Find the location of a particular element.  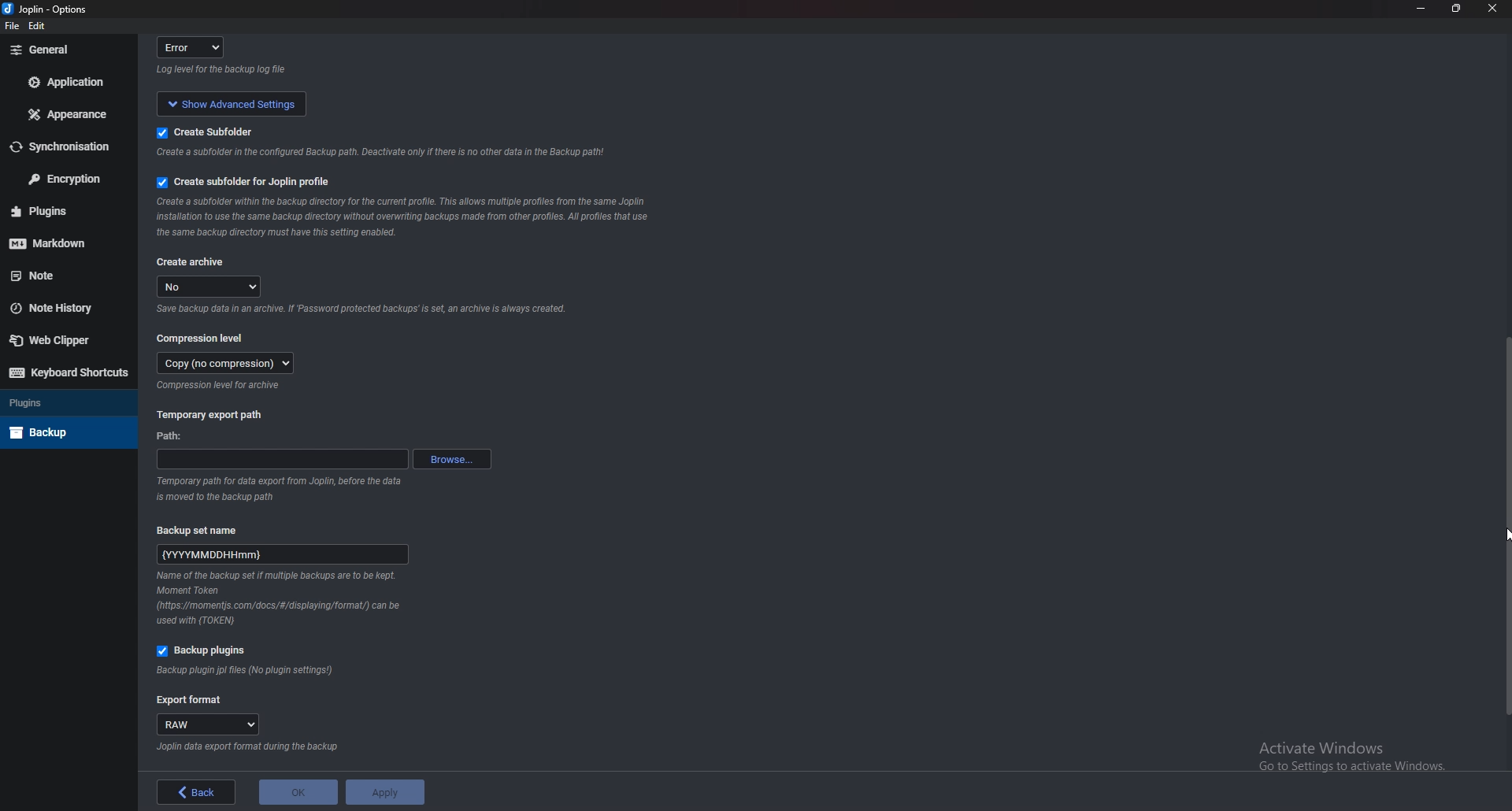

Mark down is located at coordinates (59, 241).